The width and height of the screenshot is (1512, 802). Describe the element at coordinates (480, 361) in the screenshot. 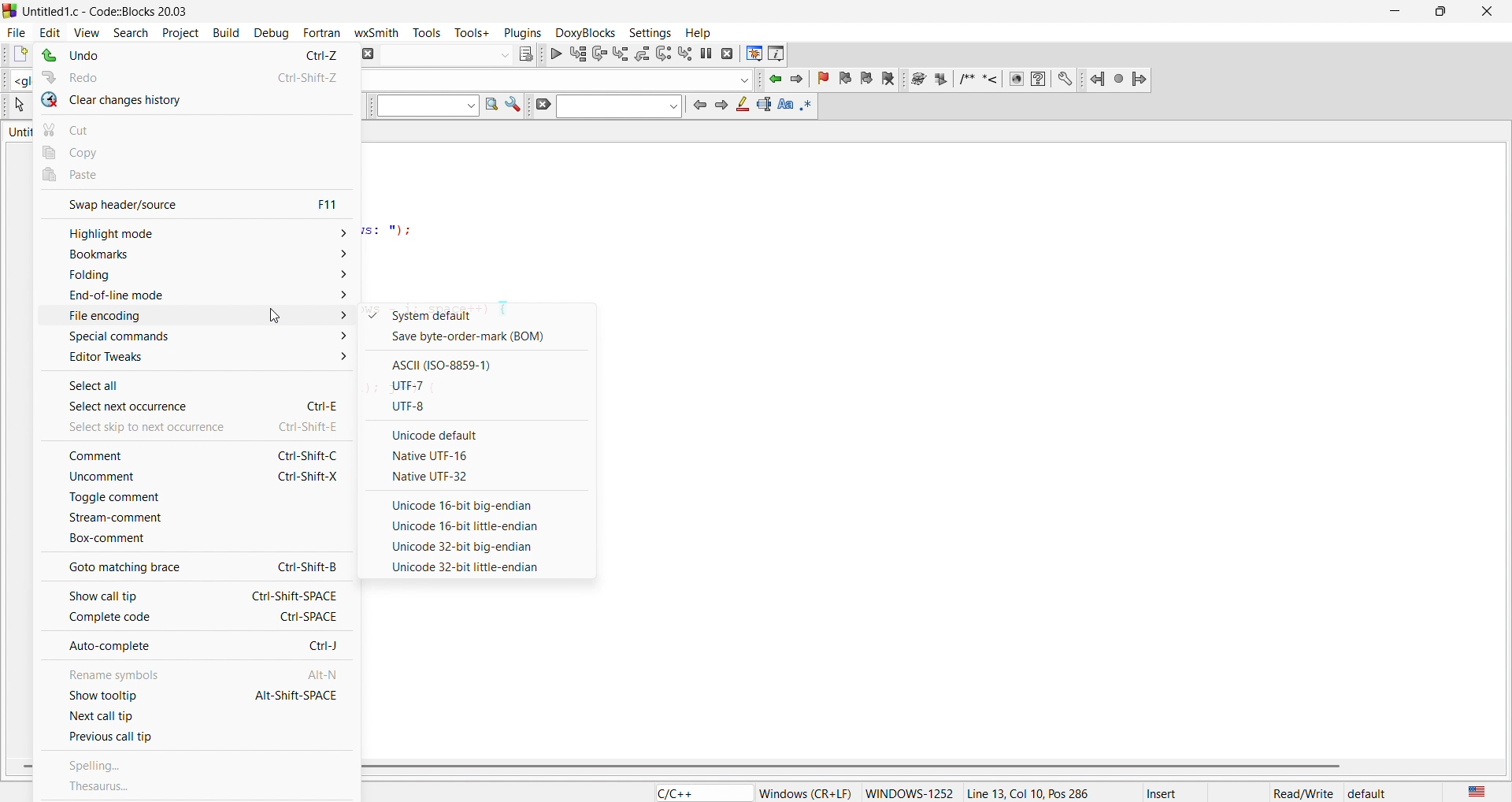

I see `ASCIII` at that location.